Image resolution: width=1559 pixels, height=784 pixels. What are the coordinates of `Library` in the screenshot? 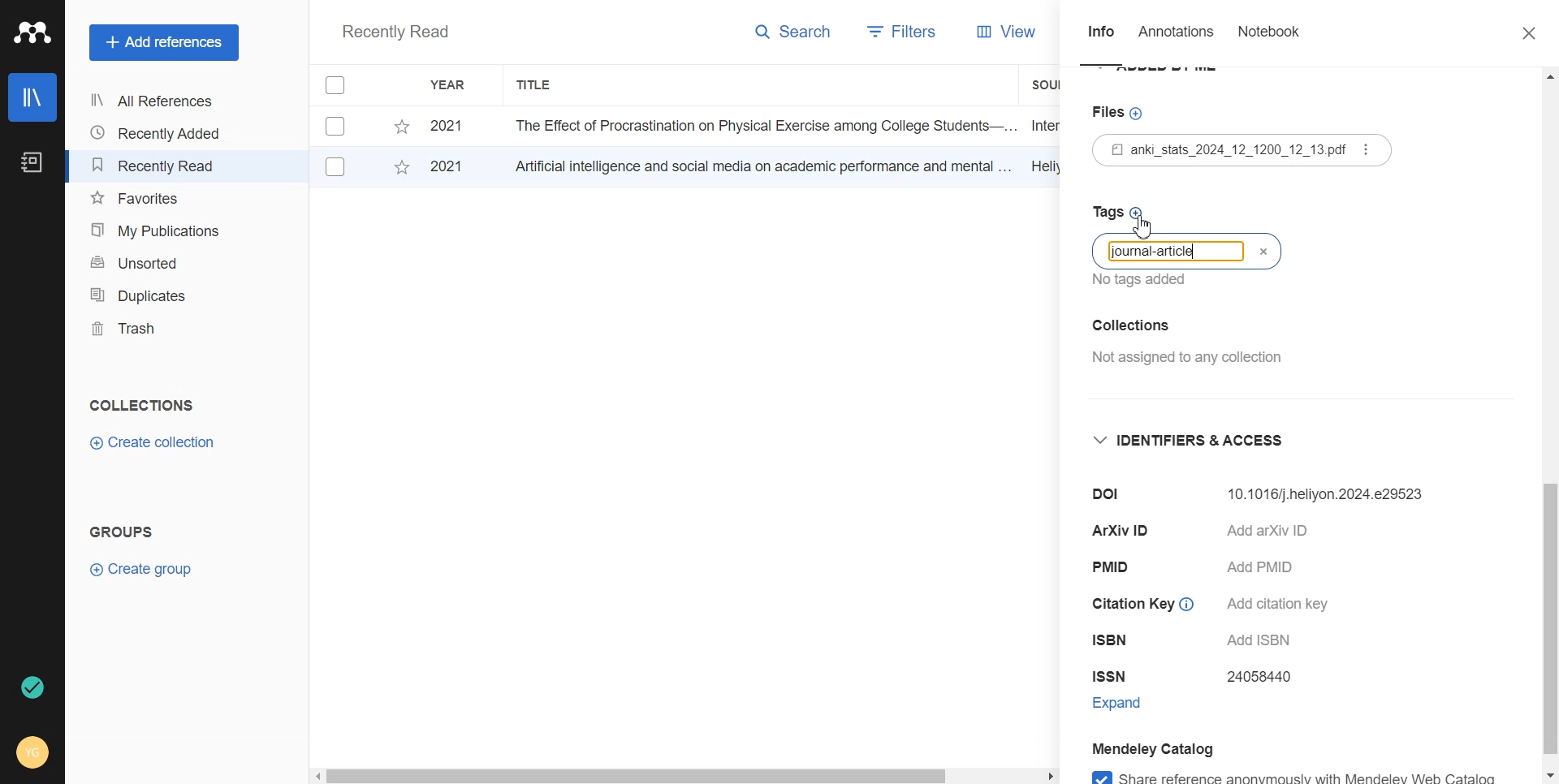 It's located at (33, 97).